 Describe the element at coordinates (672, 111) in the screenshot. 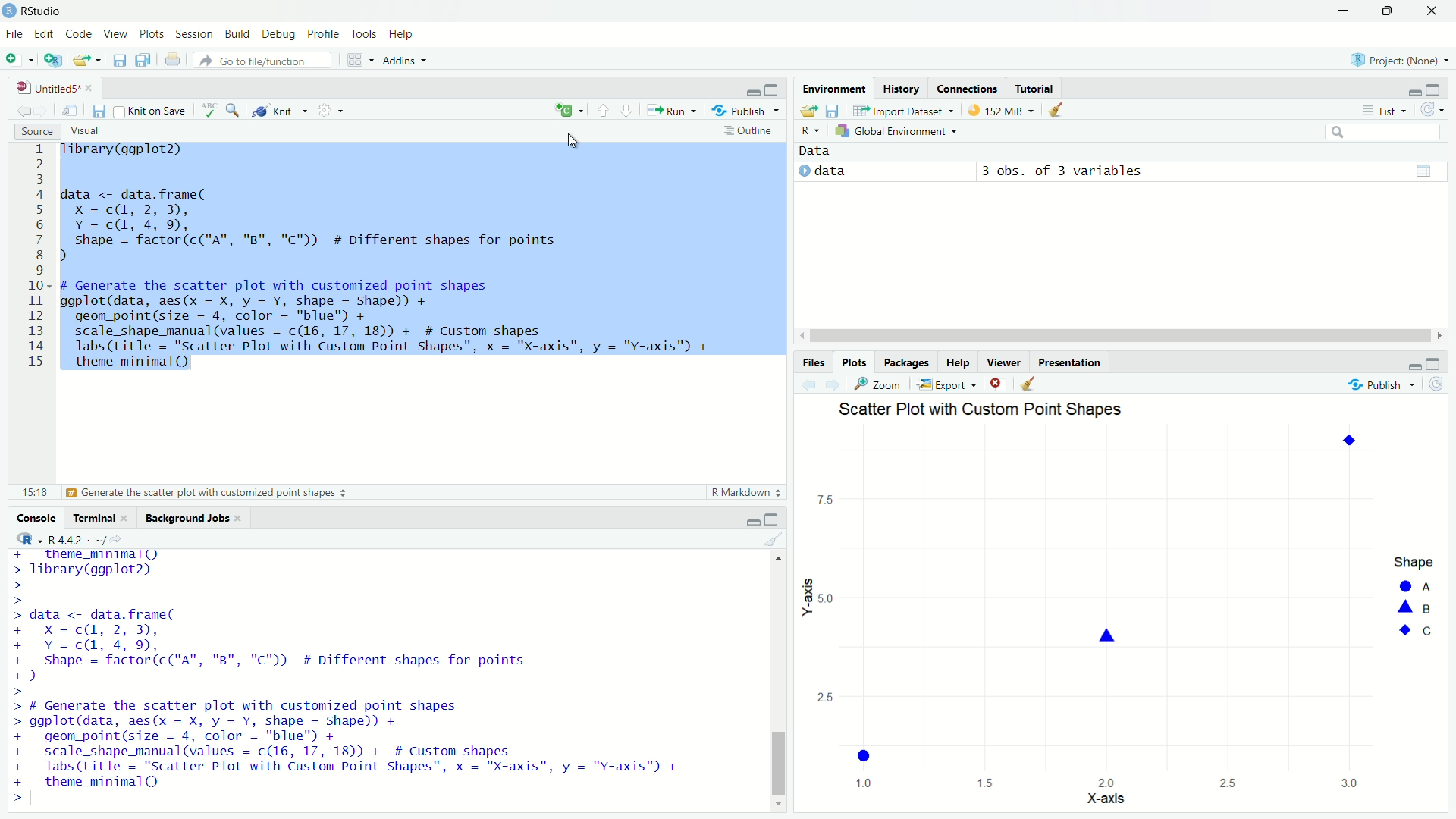

I see `Run` at that location.